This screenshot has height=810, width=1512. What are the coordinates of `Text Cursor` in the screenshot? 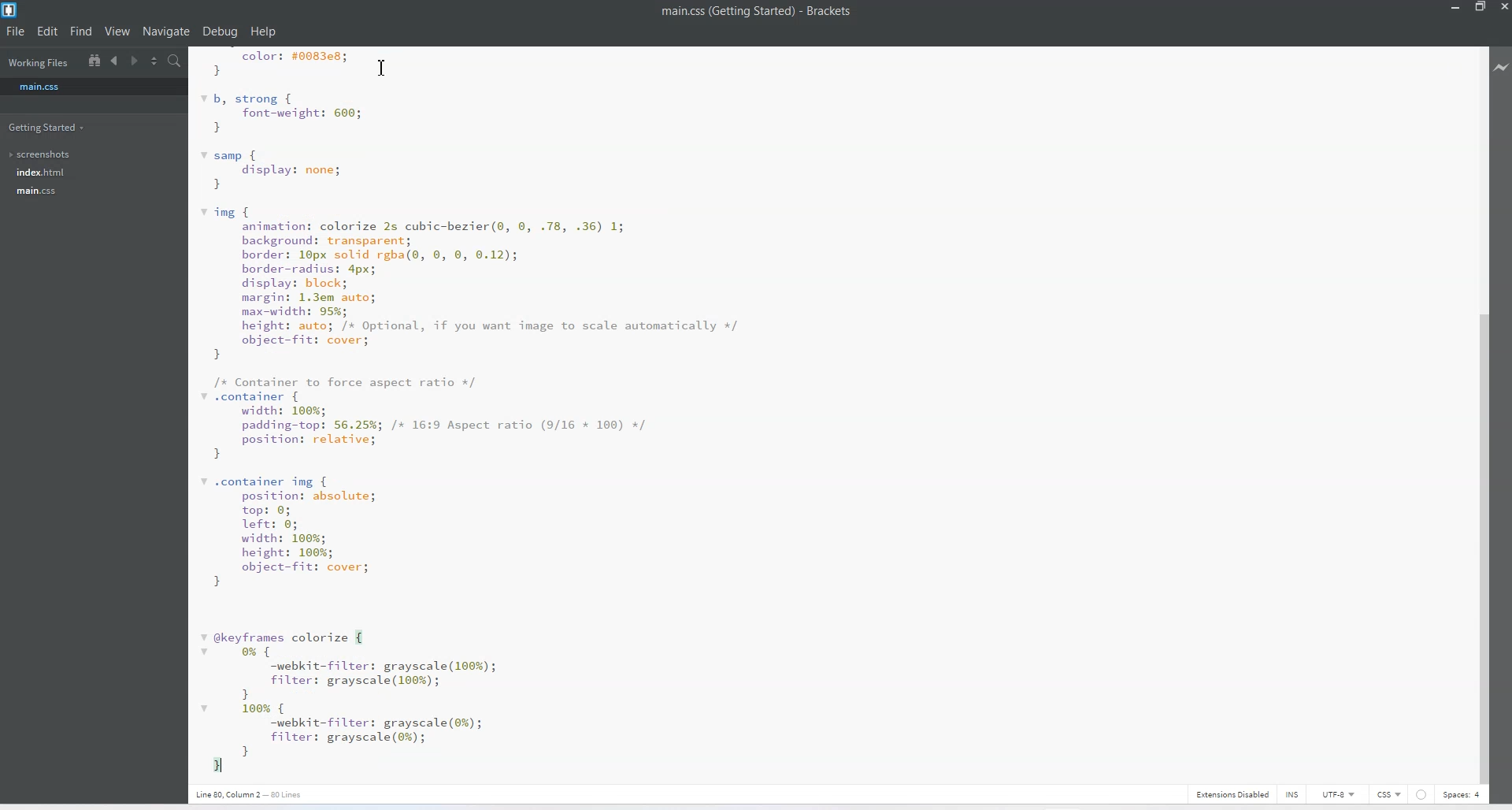 It's located at (383, 68).